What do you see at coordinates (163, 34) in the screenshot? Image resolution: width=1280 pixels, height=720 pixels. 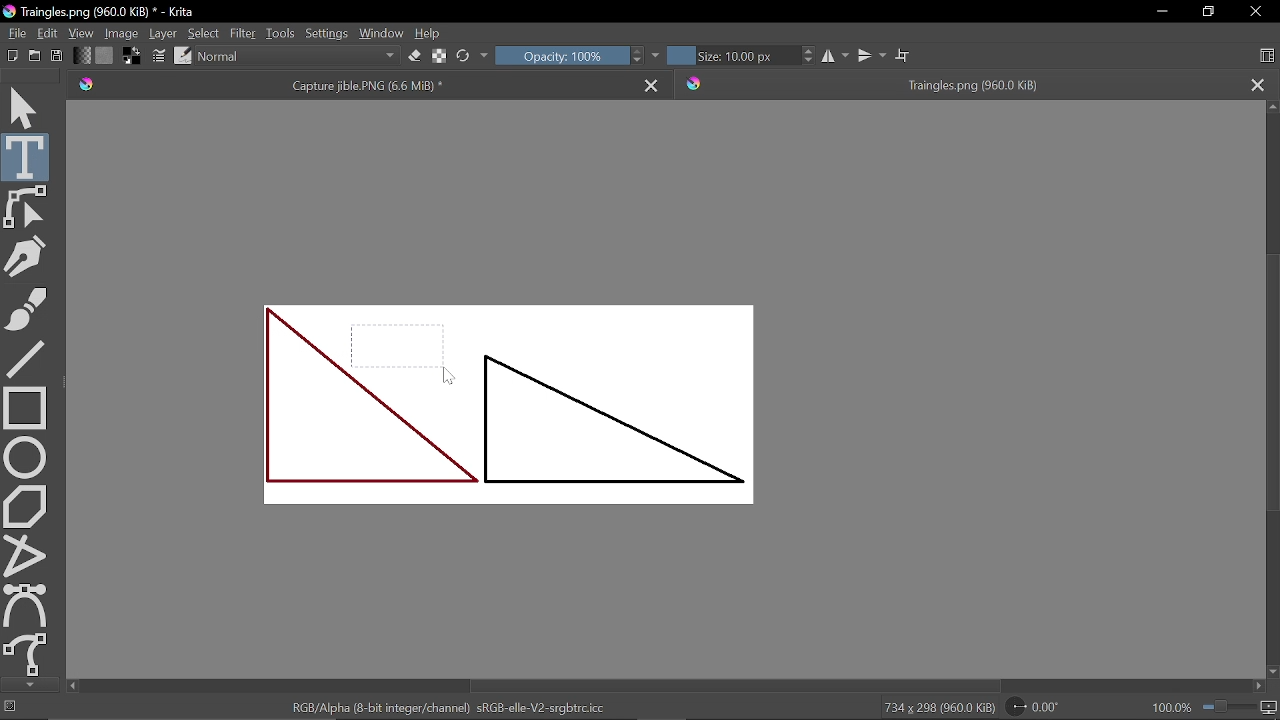 I see `Layer` at bounding box center [163, 34].